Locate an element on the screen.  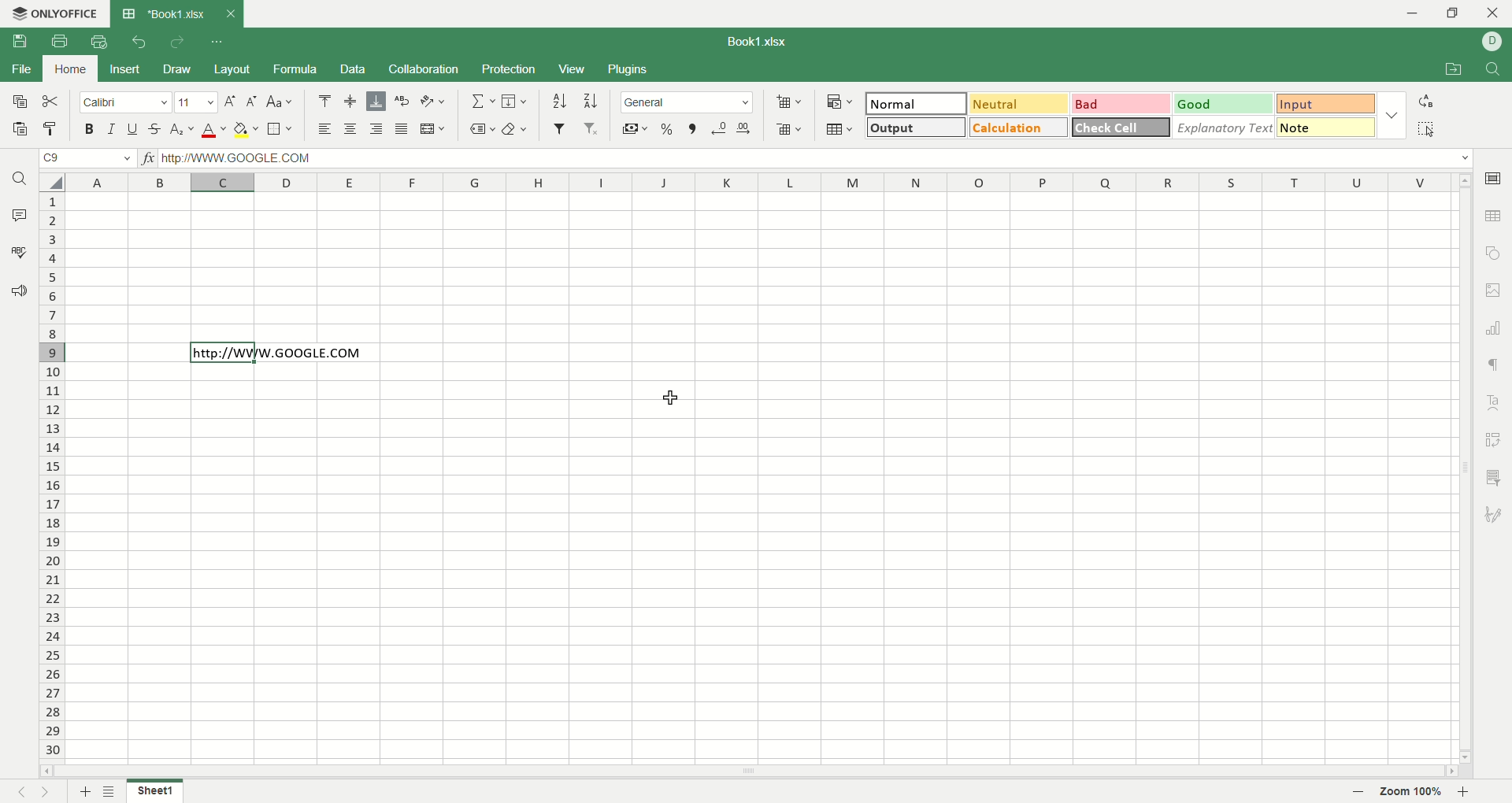
close is located at coordinates (230, 13).